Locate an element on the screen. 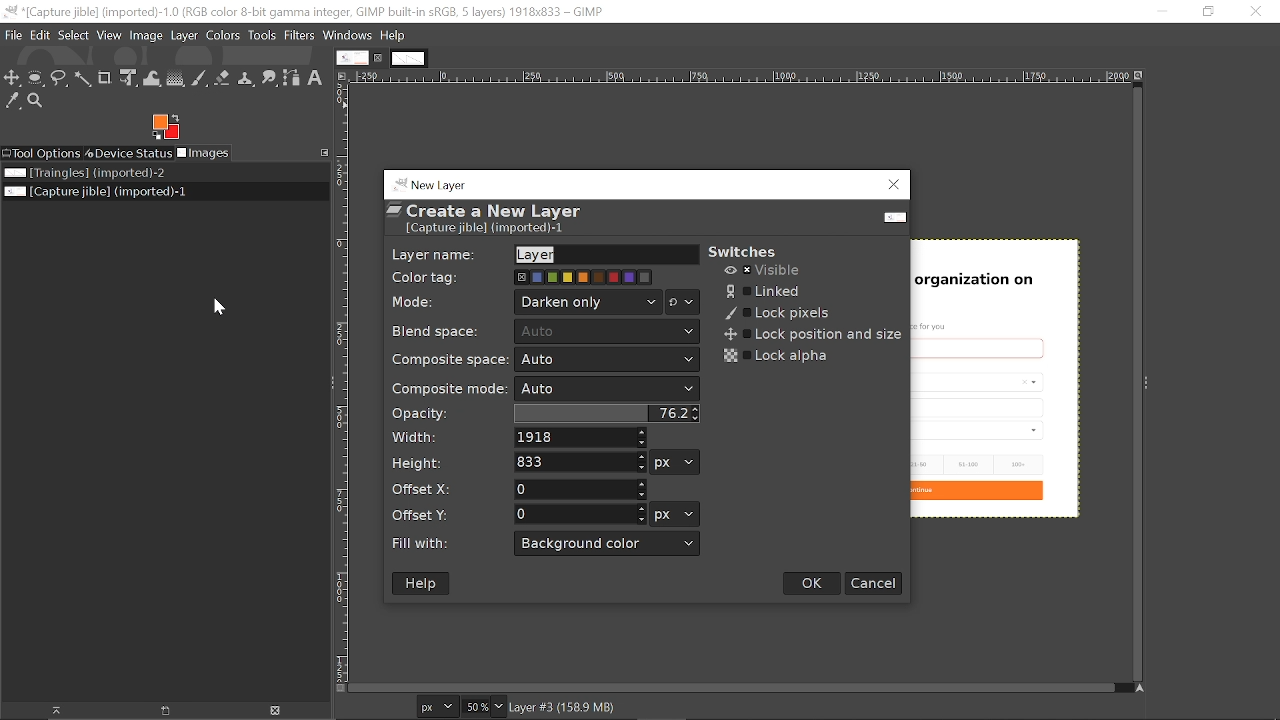 The width and height of the screenshot is (1280, 720). Offset Y is located at coordinates (582, 514).